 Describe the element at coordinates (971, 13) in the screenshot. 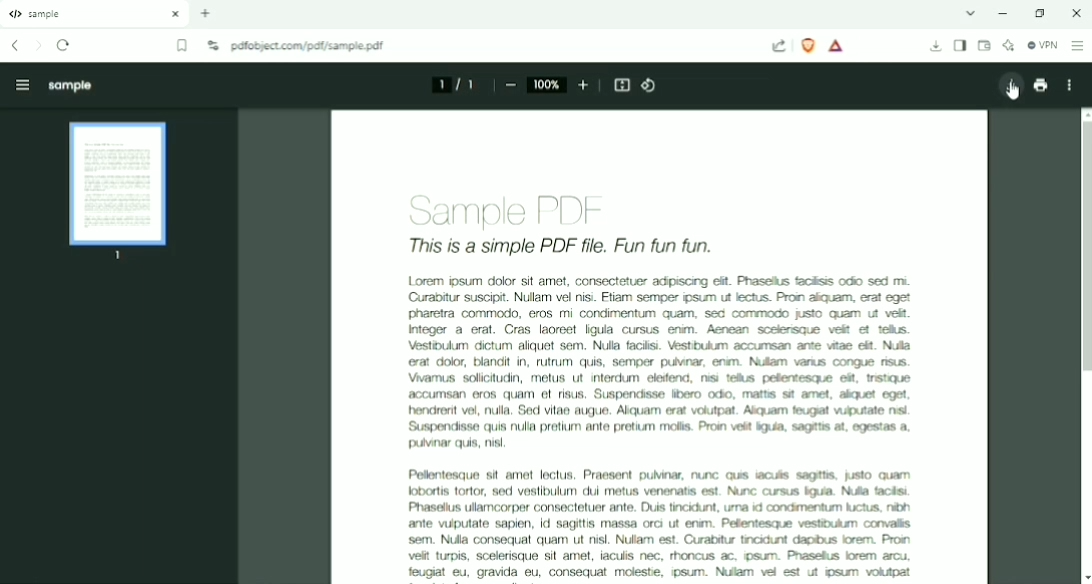

I see `Search Tabs` at that location.